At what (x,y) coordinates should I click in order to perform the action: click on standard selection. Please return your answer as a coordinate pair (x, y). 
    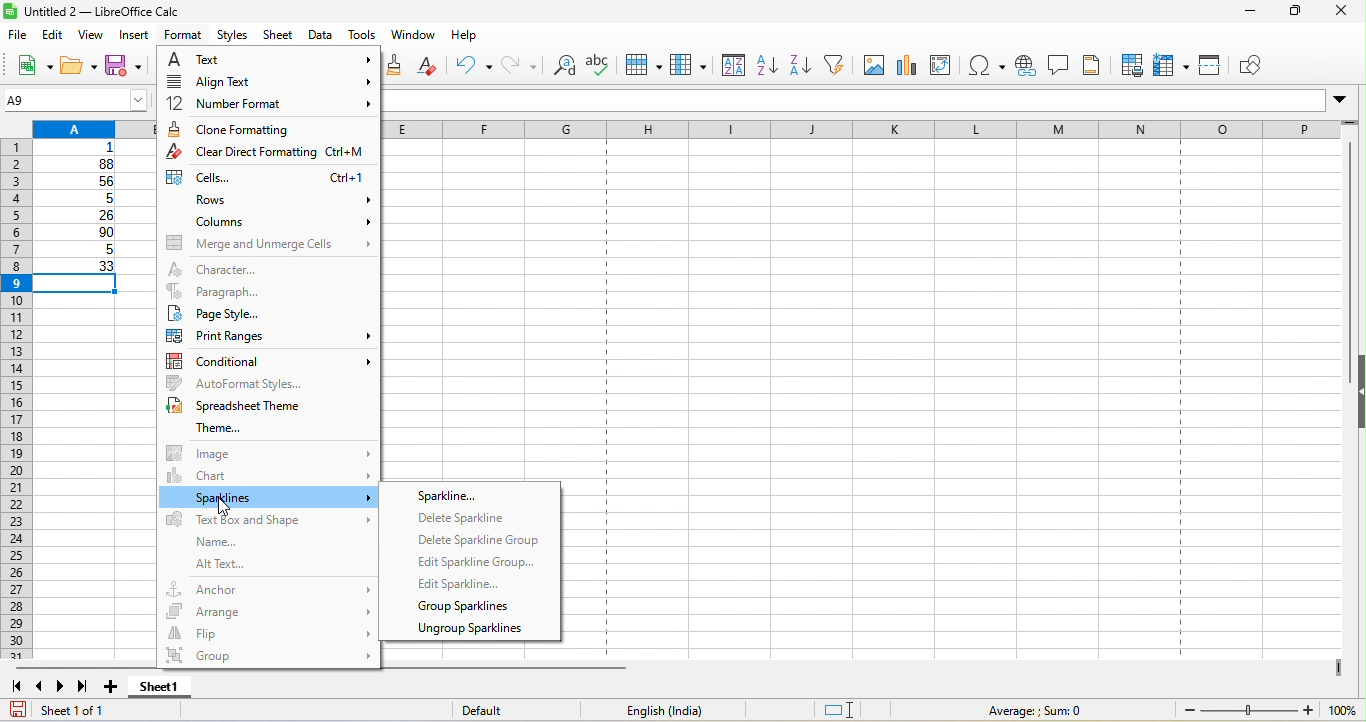
    Looking at the image, I should click on (853, 710).